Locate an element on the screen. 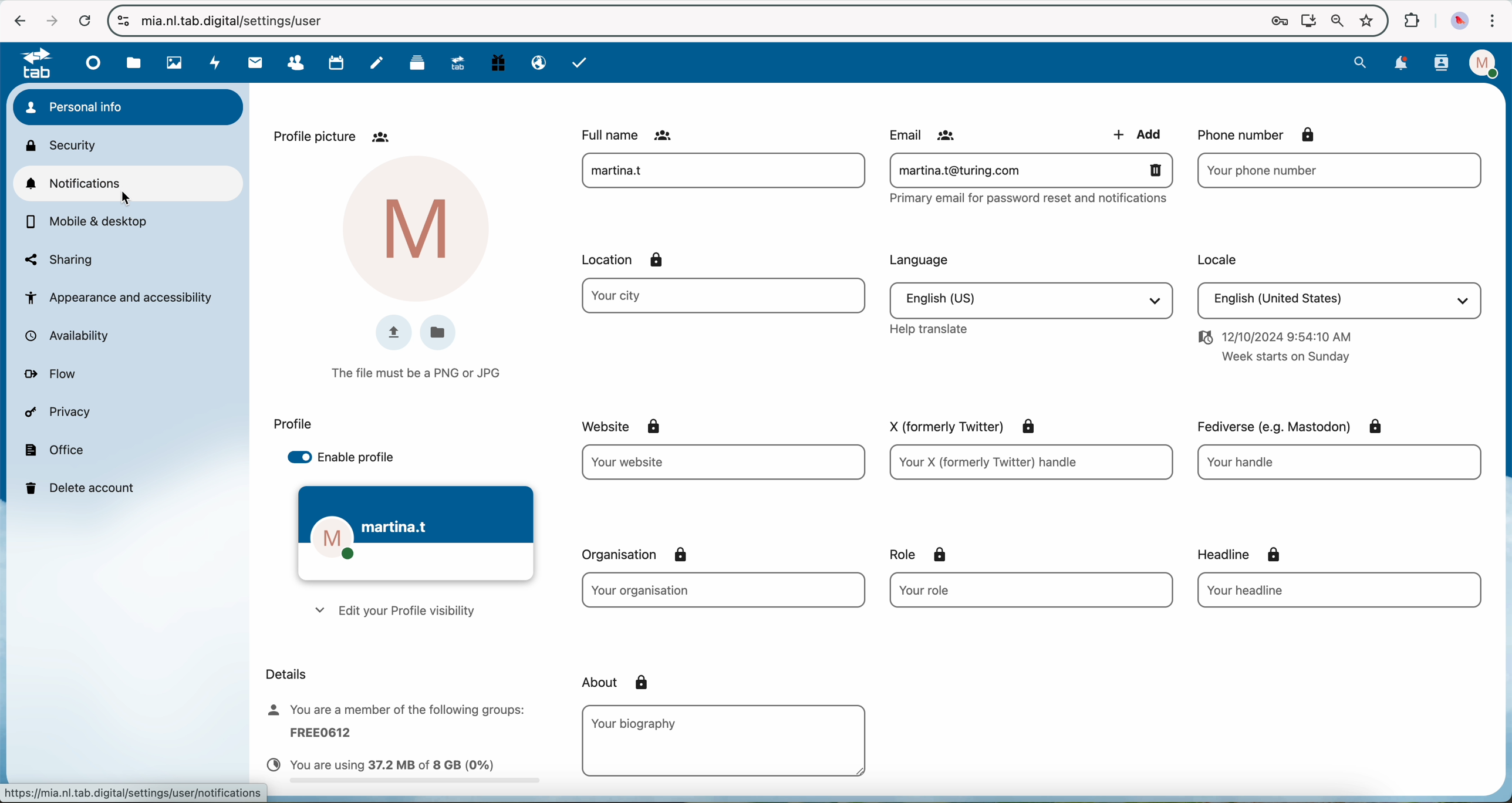 Image resolution: width=1512 pixels, height=803 pixels. website is located at coordinates (724, 463).